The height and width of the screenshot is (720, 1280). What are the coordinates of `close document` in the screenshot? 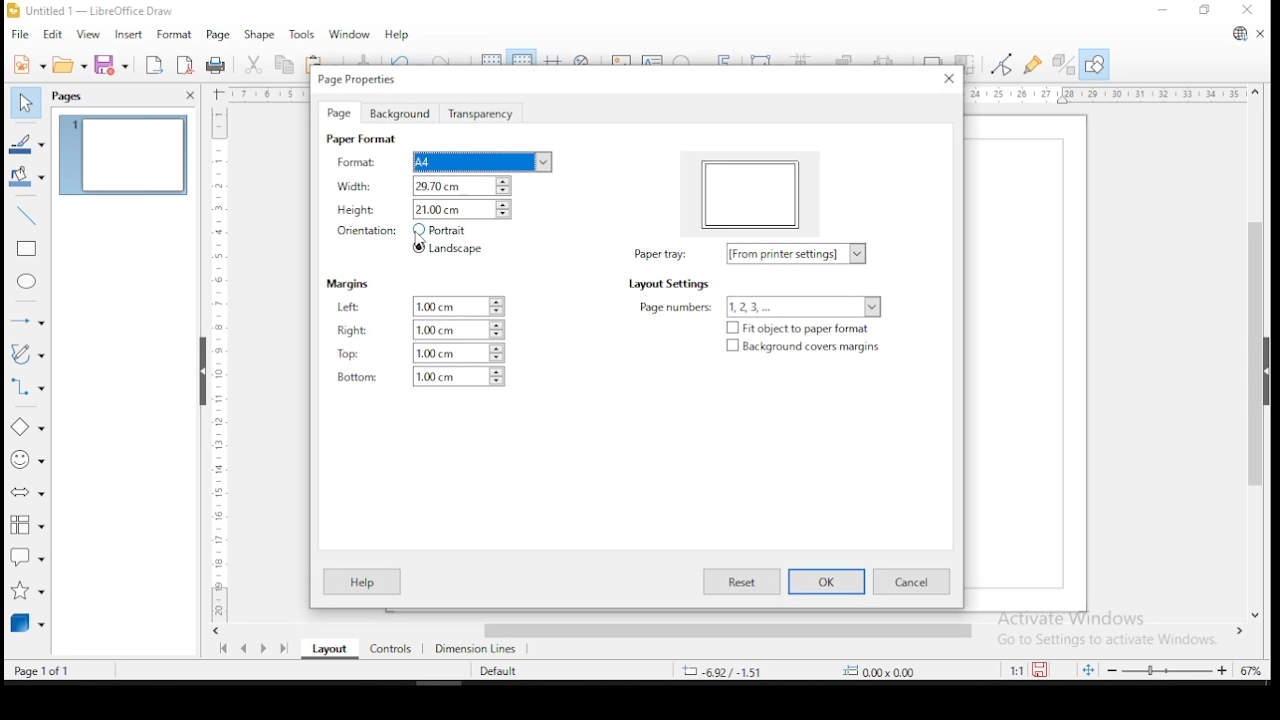 It's located at (1260, 34).